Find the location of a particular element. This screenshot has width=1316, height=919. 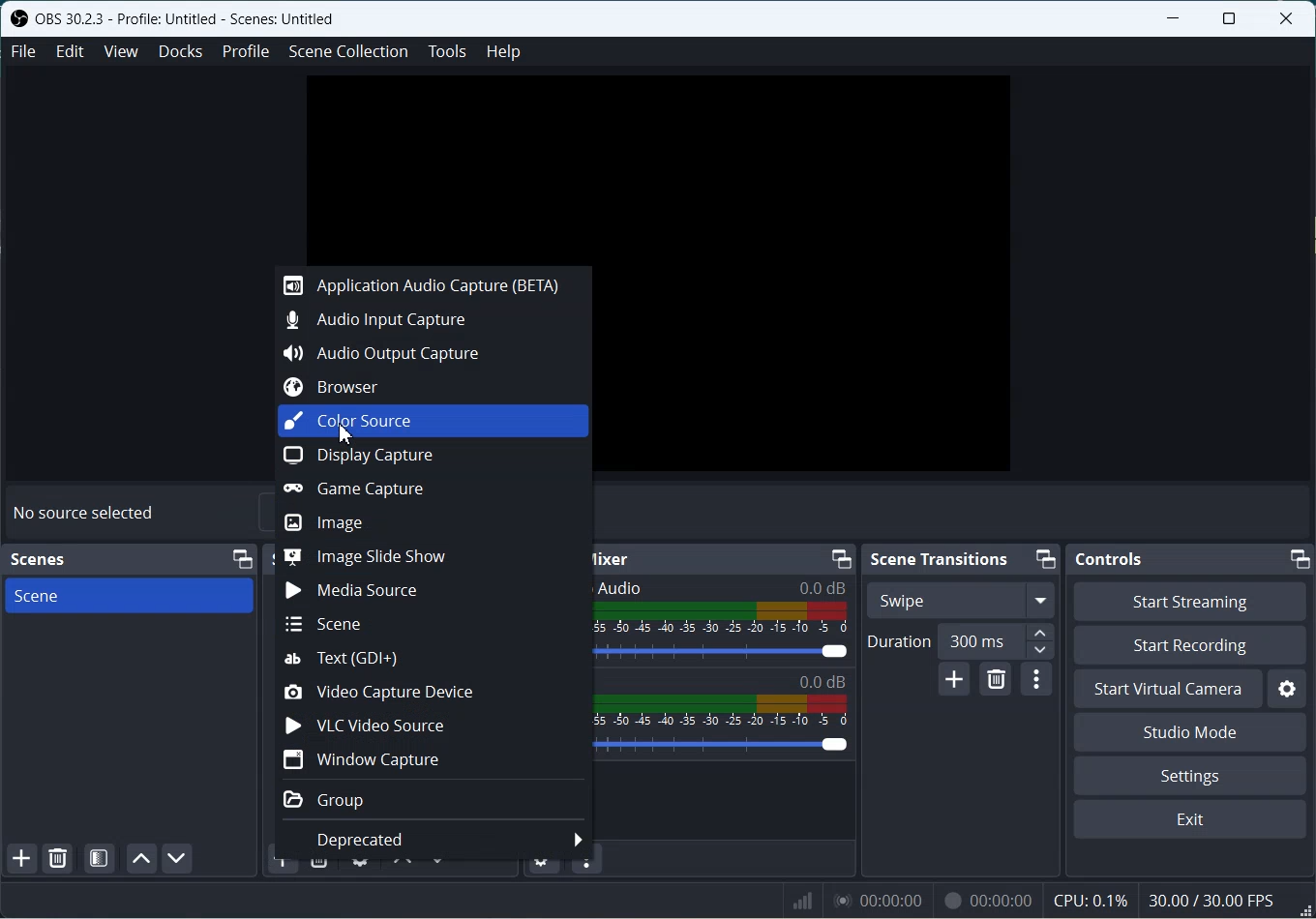

Minimize is located at coordinates (1301, 558).